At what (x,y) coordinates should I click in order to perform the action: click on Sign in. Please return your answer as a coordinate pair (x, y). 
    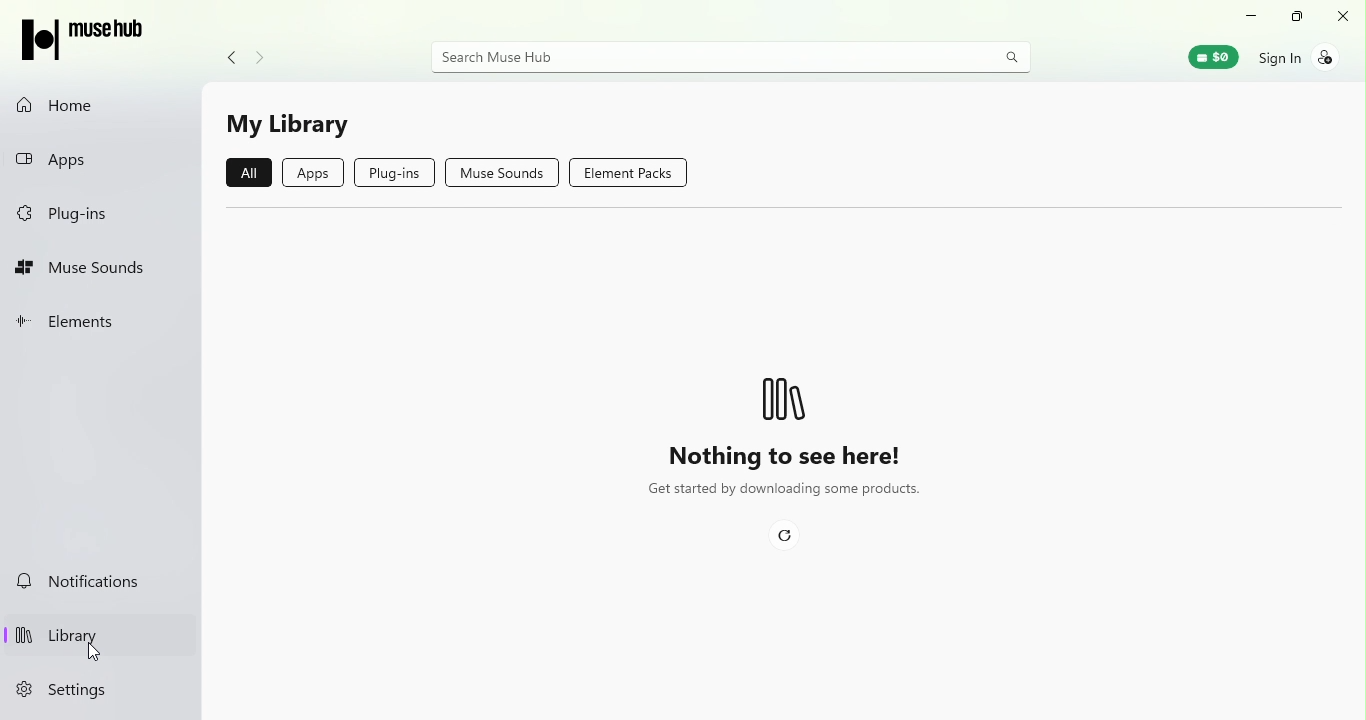
    Looking at the image, I should click on (1294, 56).